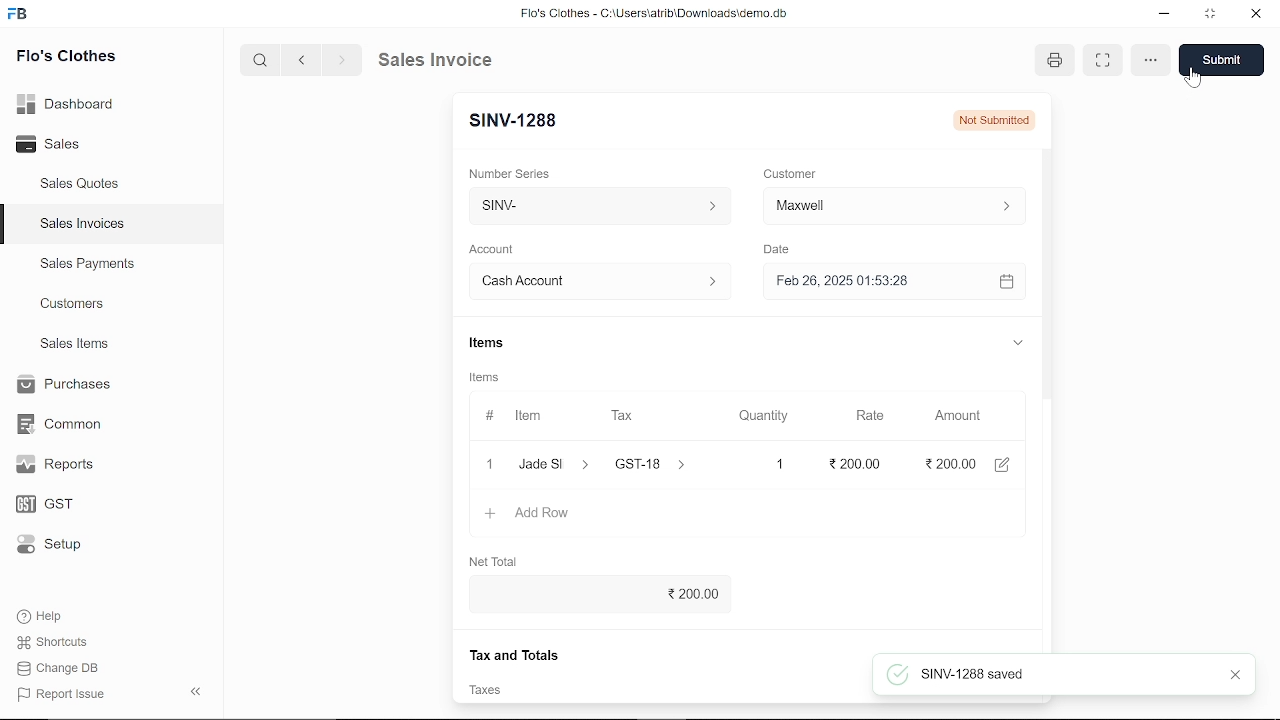 This screenshot has height=720, width=1280. I want to click on Help, so click(53, 616).